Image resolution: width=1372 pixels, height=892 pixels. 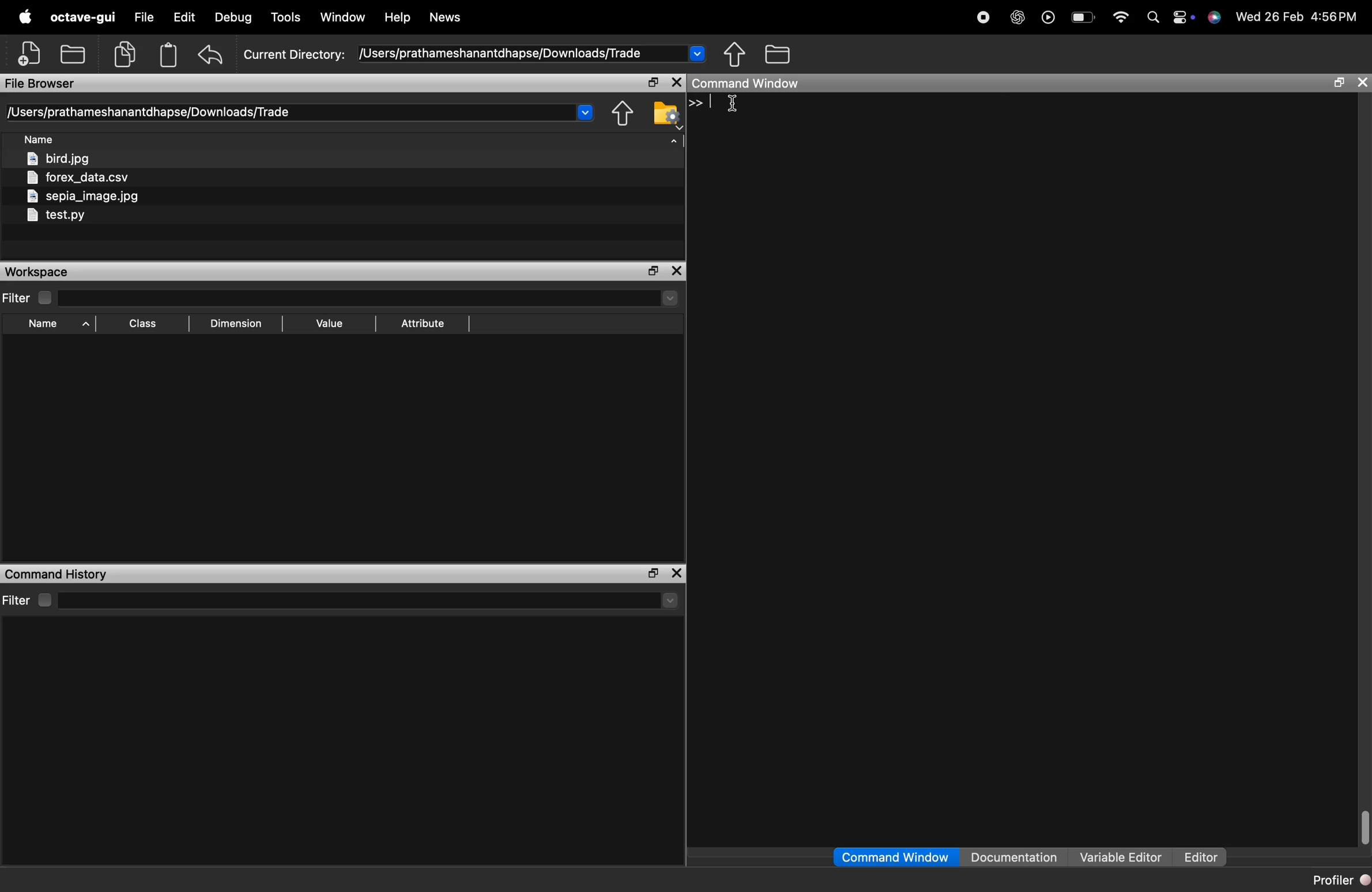 I want to click on Battery, so click(x=1084, y=18).